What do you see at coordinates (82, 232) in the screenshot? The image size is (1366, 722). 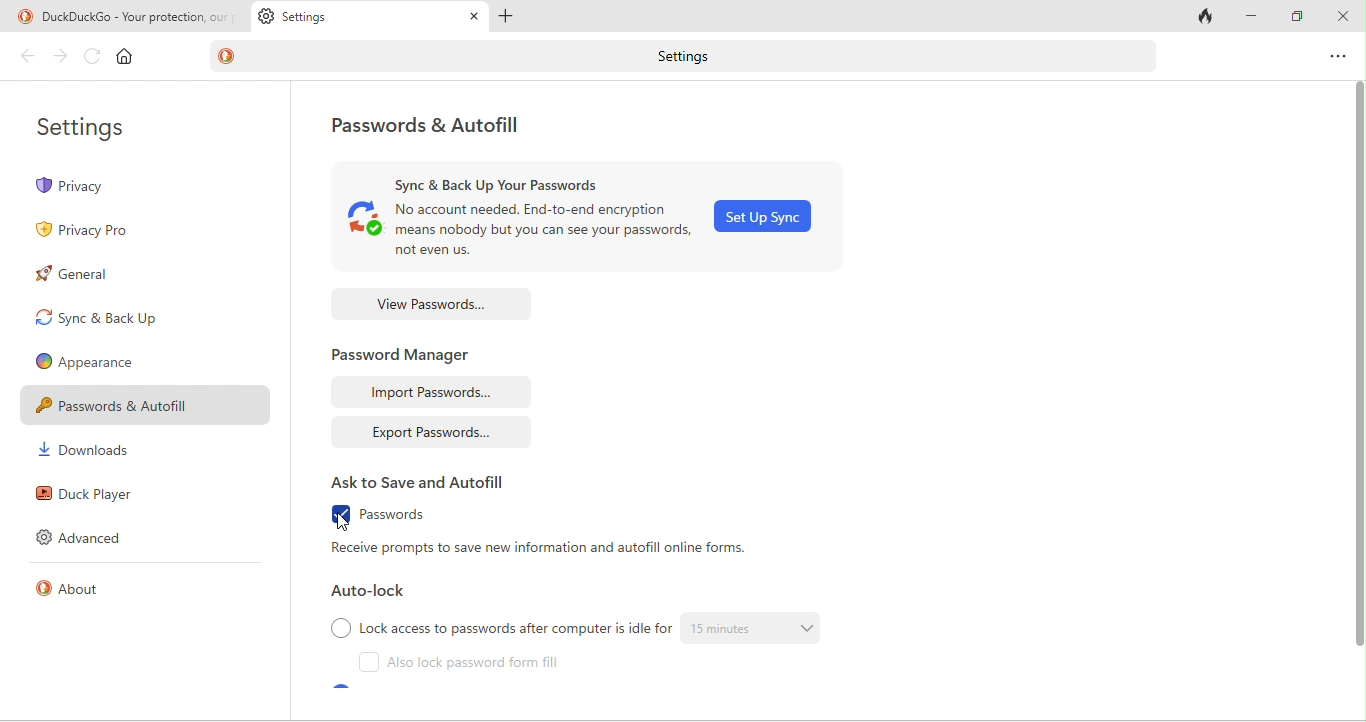 I see `privacy pro` at bounding box center [82, 232].